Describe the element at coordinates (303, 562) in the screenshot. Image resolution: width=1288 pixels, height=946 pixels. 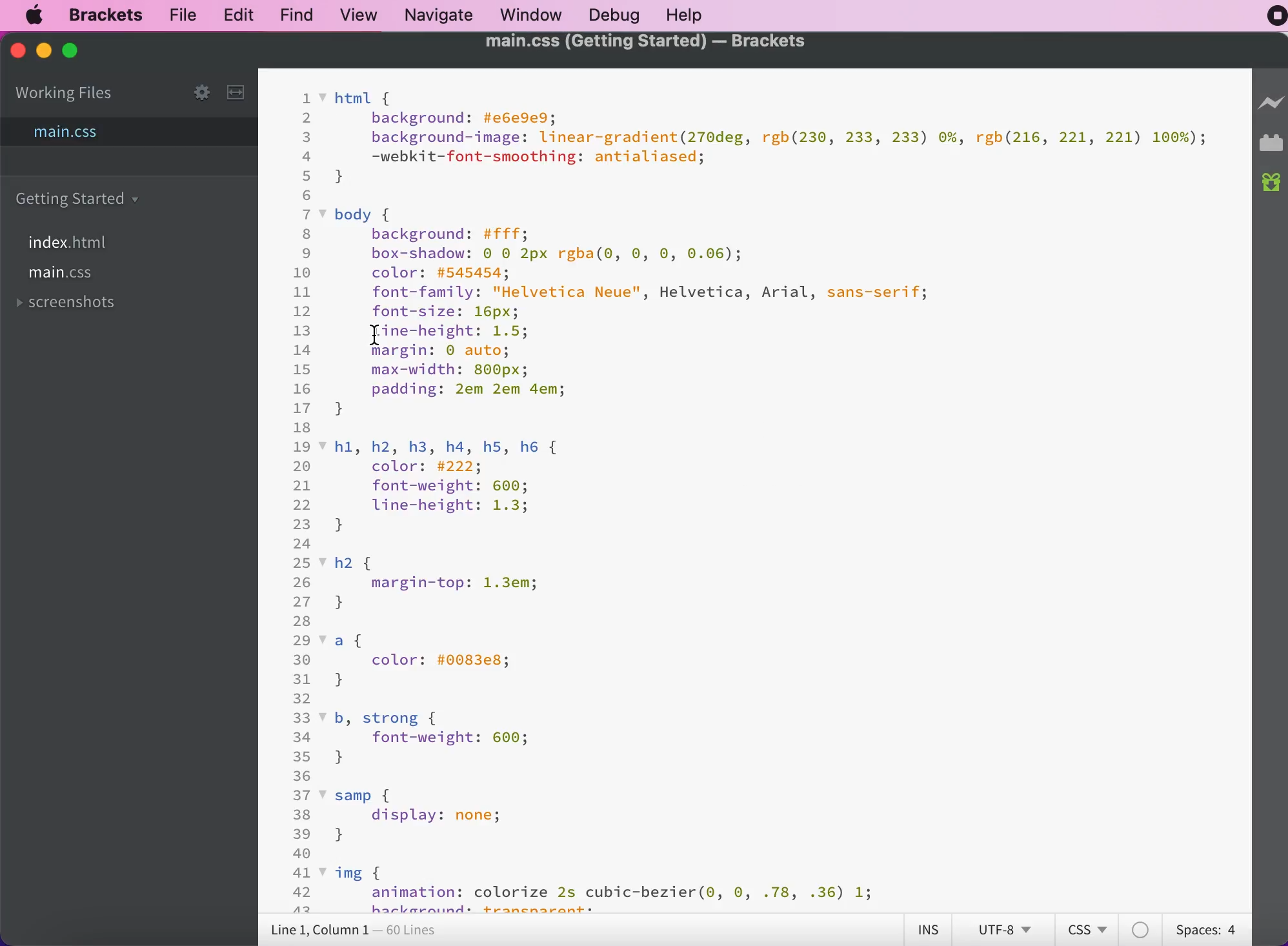
I see `25` at that location.